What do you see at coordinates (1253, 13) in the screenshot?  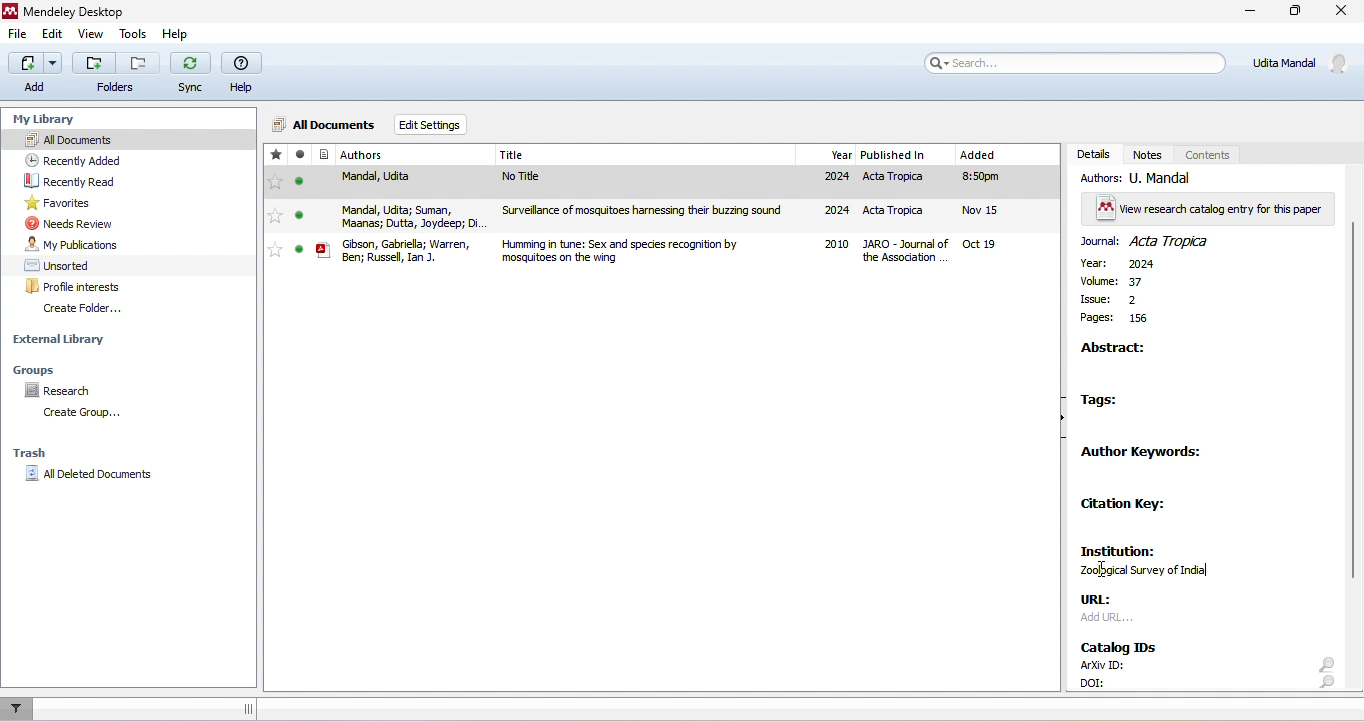 I see `minimize` at bounding box center [1253, 13].